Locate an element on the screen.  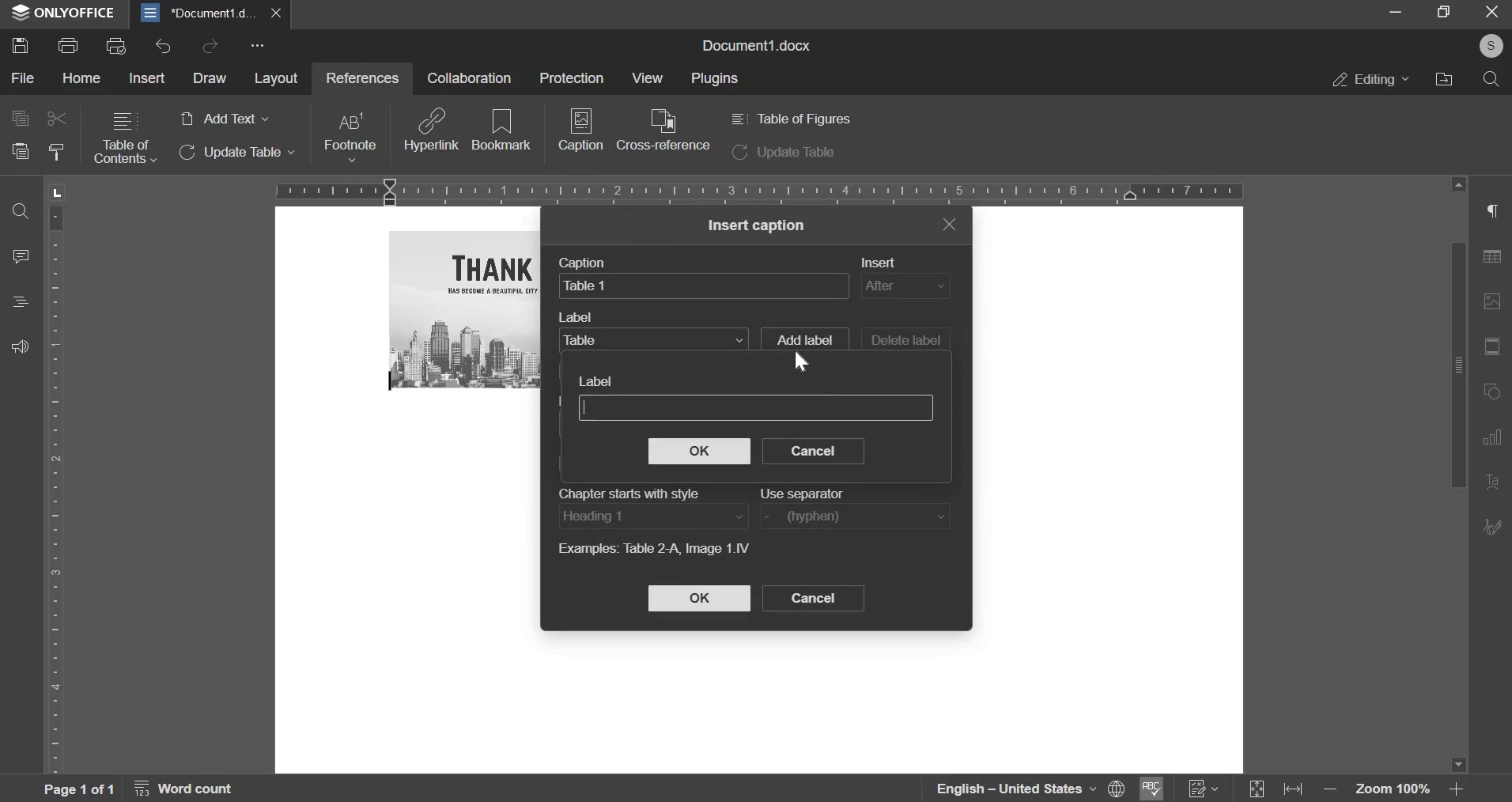
Example is located at coordinates (653, 547).